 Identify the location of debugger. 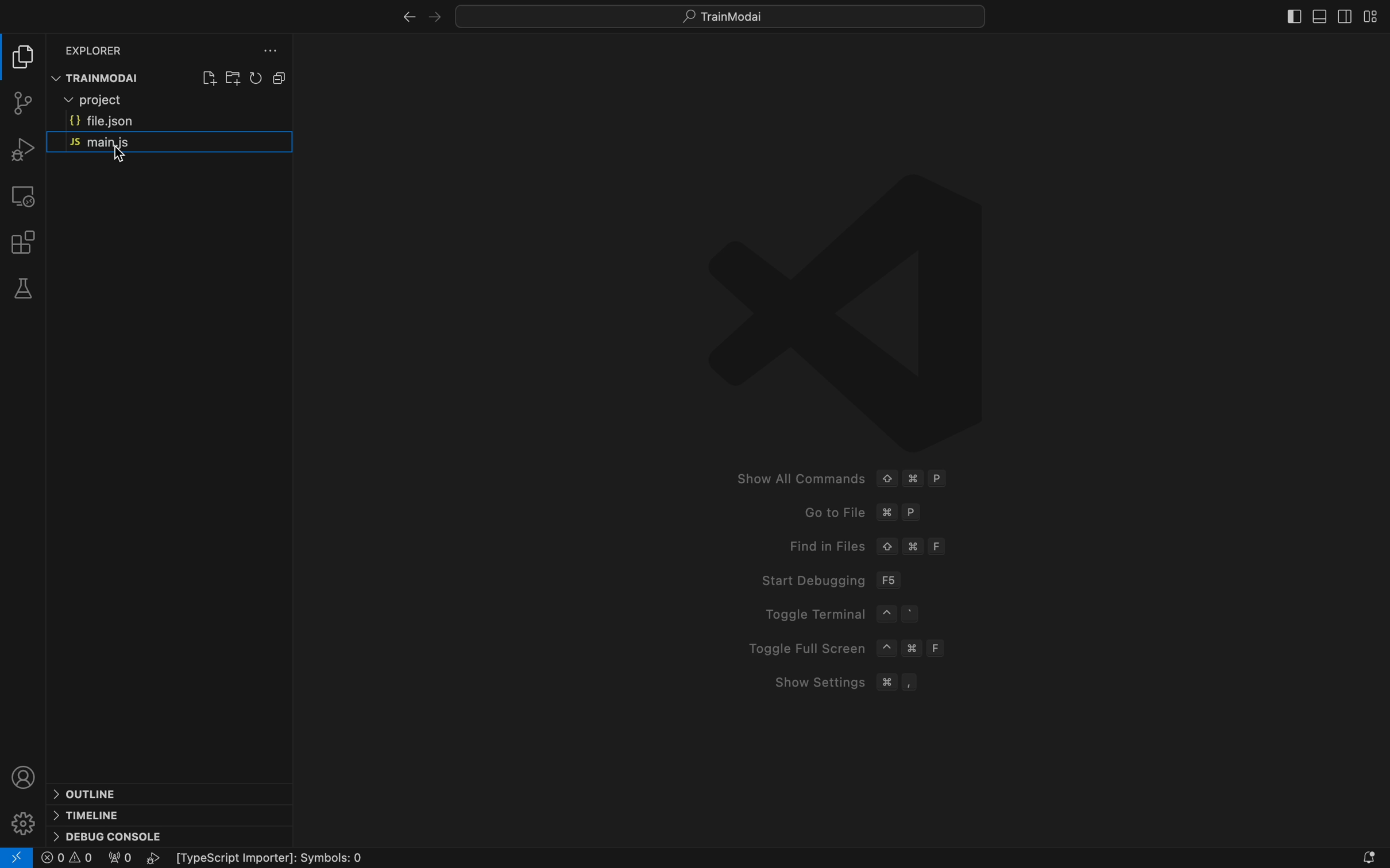
(22, 148).